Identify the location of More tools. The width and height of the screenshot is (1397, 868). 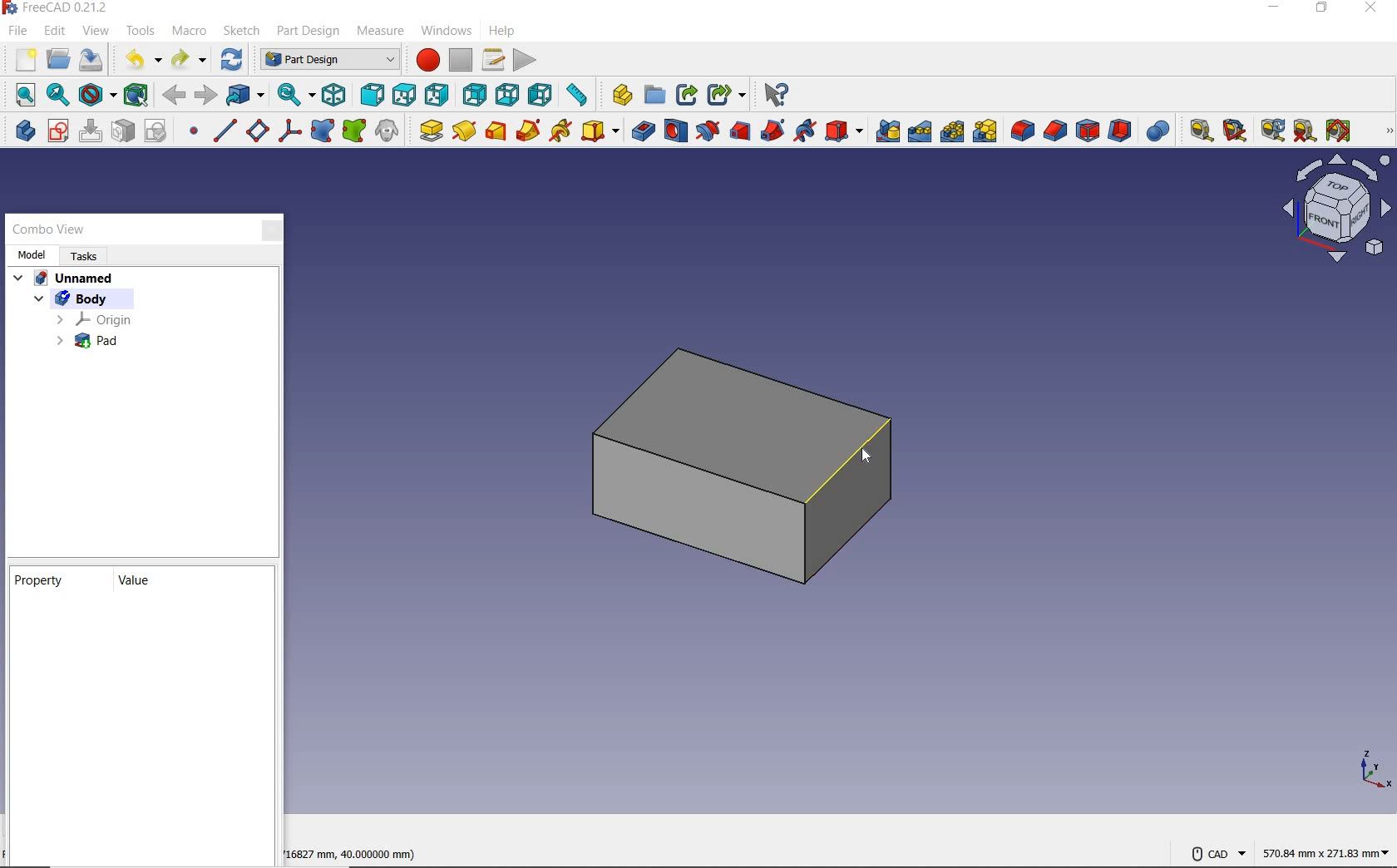
(1385, 131).